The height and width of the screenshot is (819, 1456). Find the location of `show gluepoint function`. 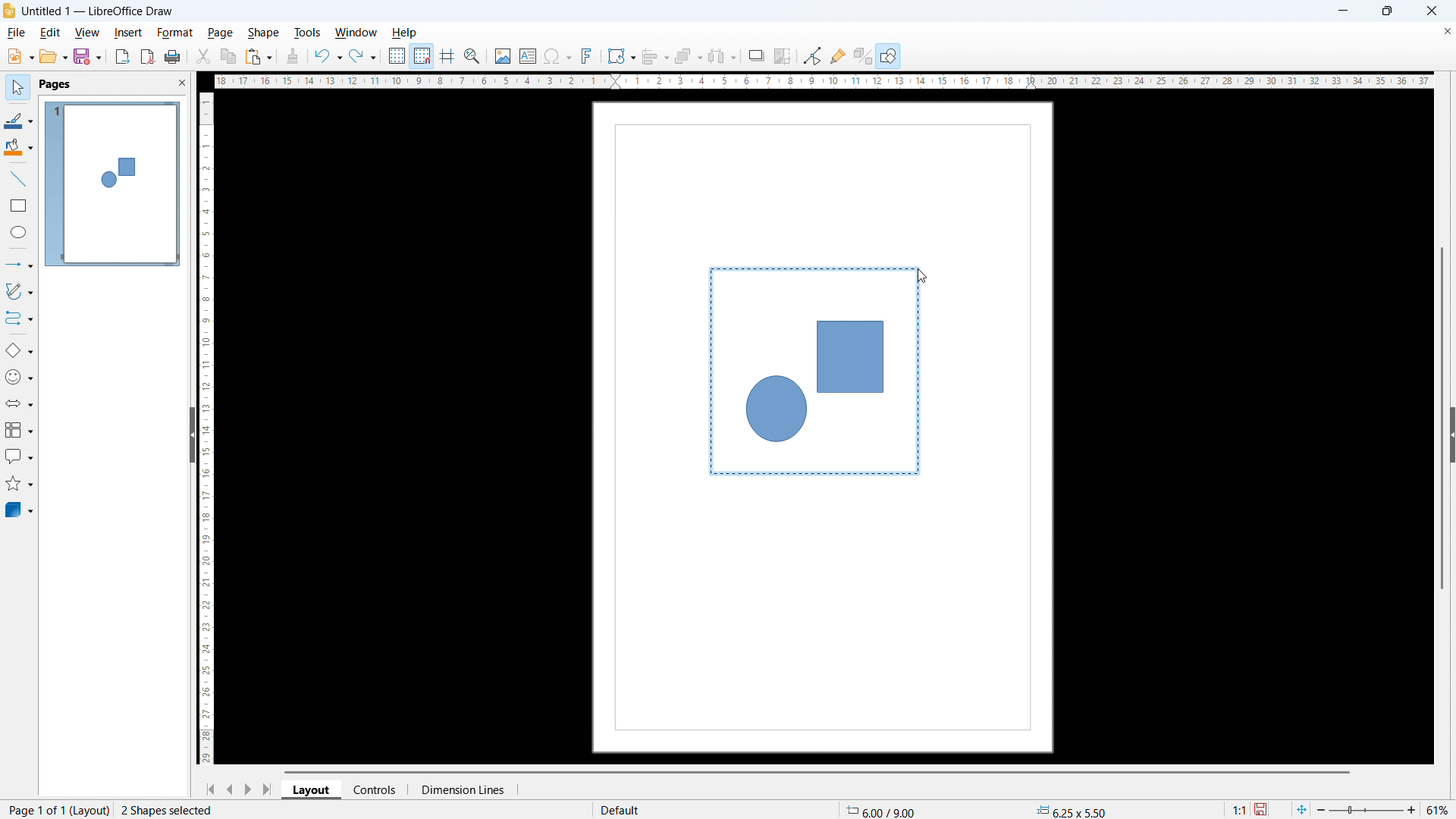

show gluepoint function is located at coordinates (839, 55).